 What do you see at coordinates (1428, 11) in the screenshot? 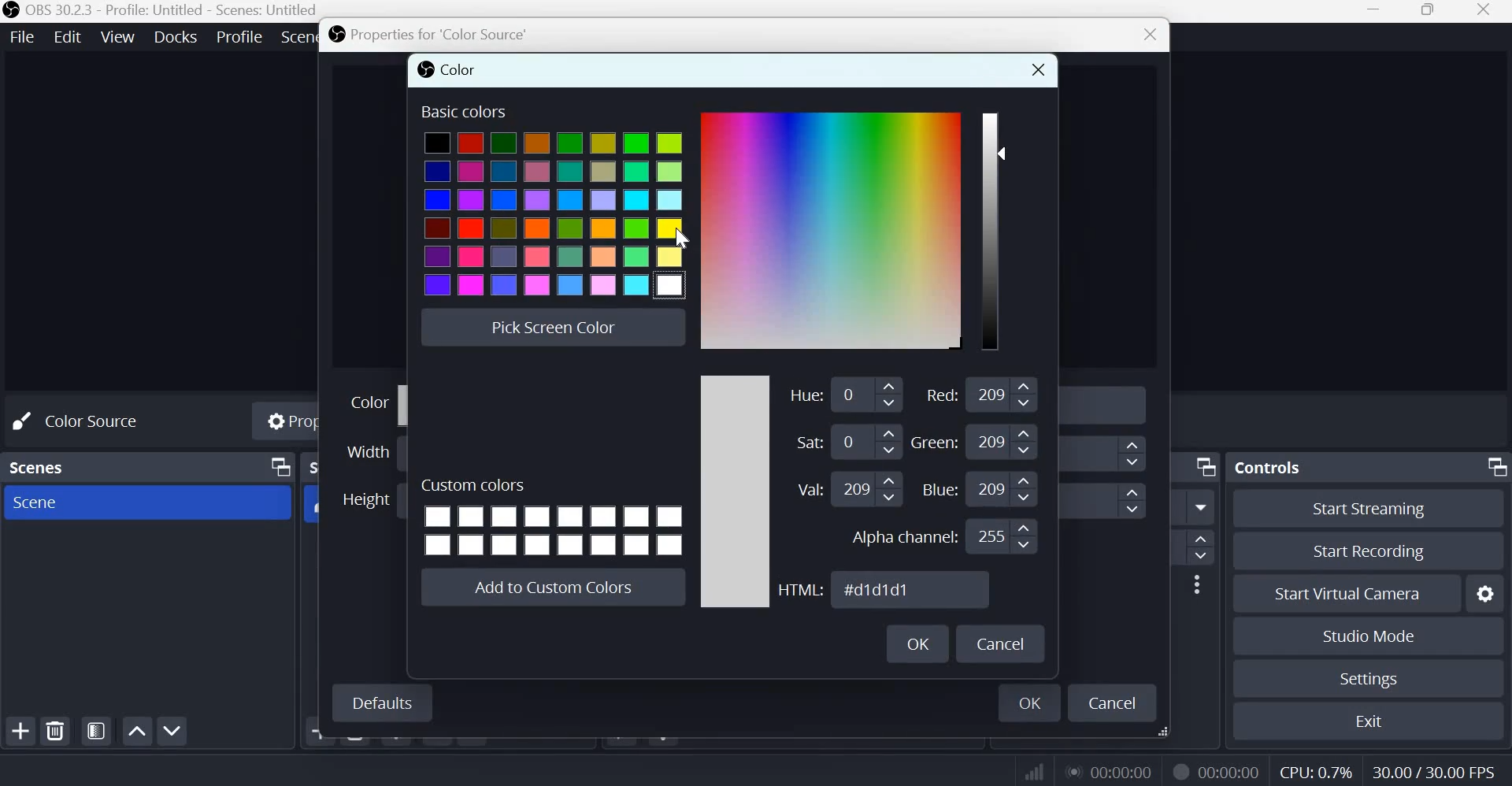
I see `Maximize` at bounding box center [1428, 11].